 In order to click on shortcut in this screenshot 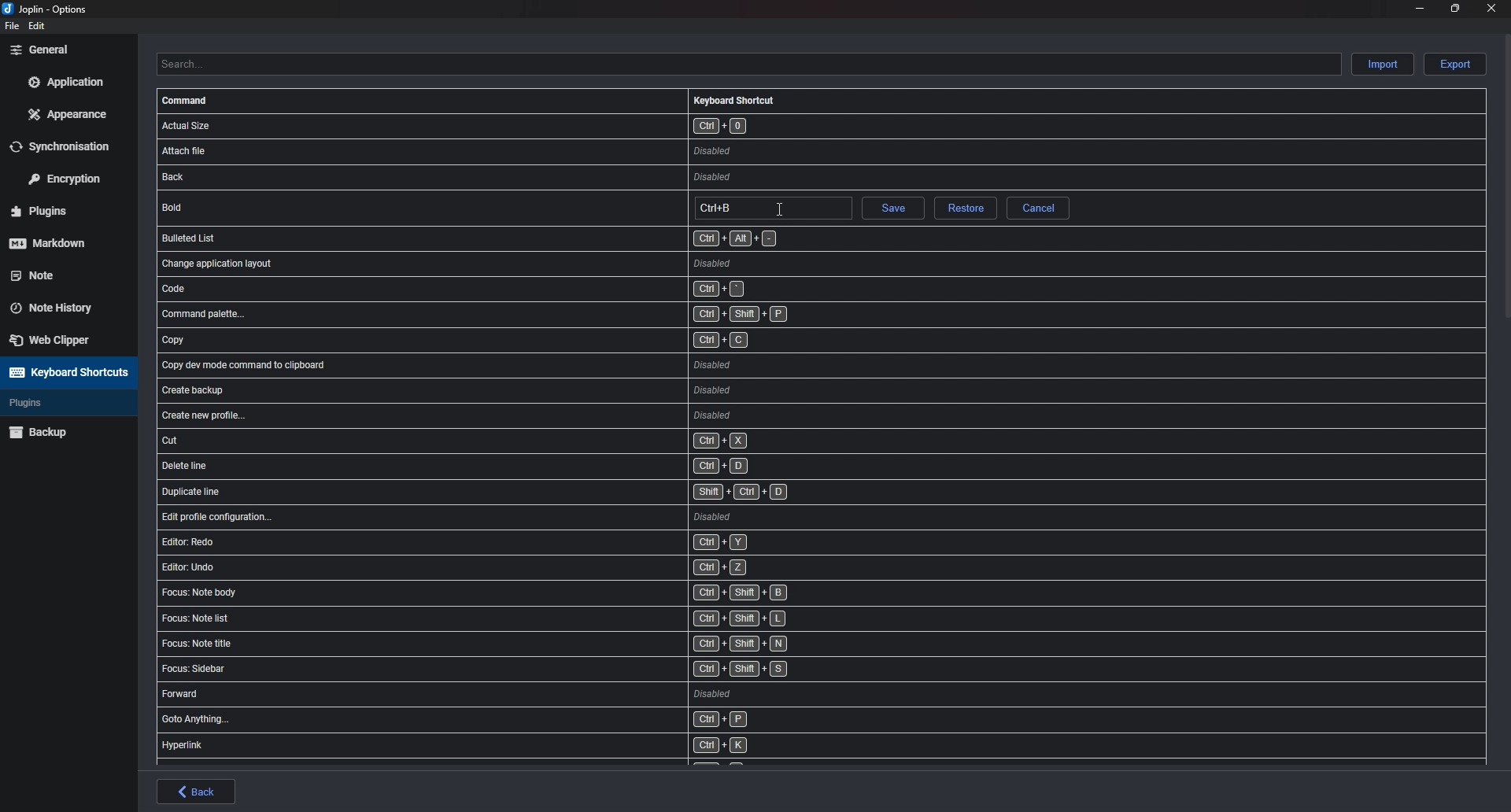, I will do `click(536, 390)`.